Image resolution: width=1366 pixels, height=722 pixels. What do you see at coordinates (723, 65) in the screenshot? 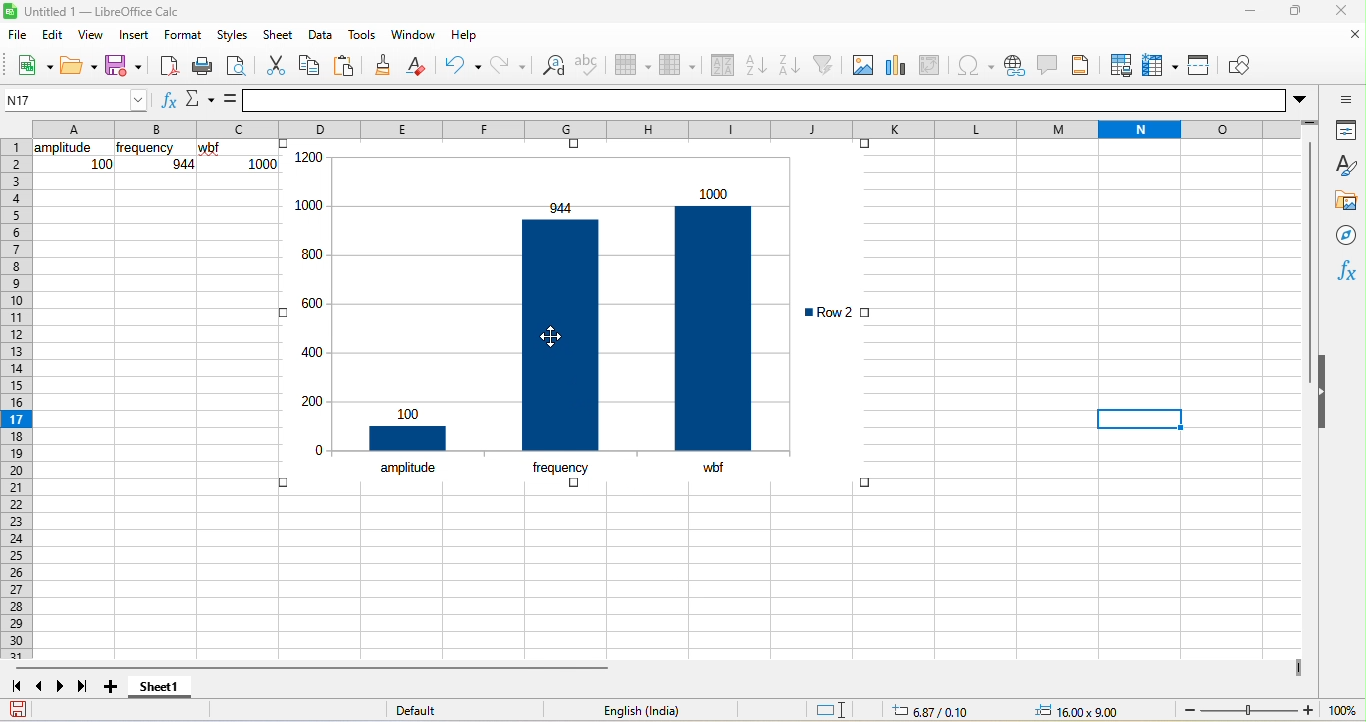
I see `sort` at bounding box center [723, 65].